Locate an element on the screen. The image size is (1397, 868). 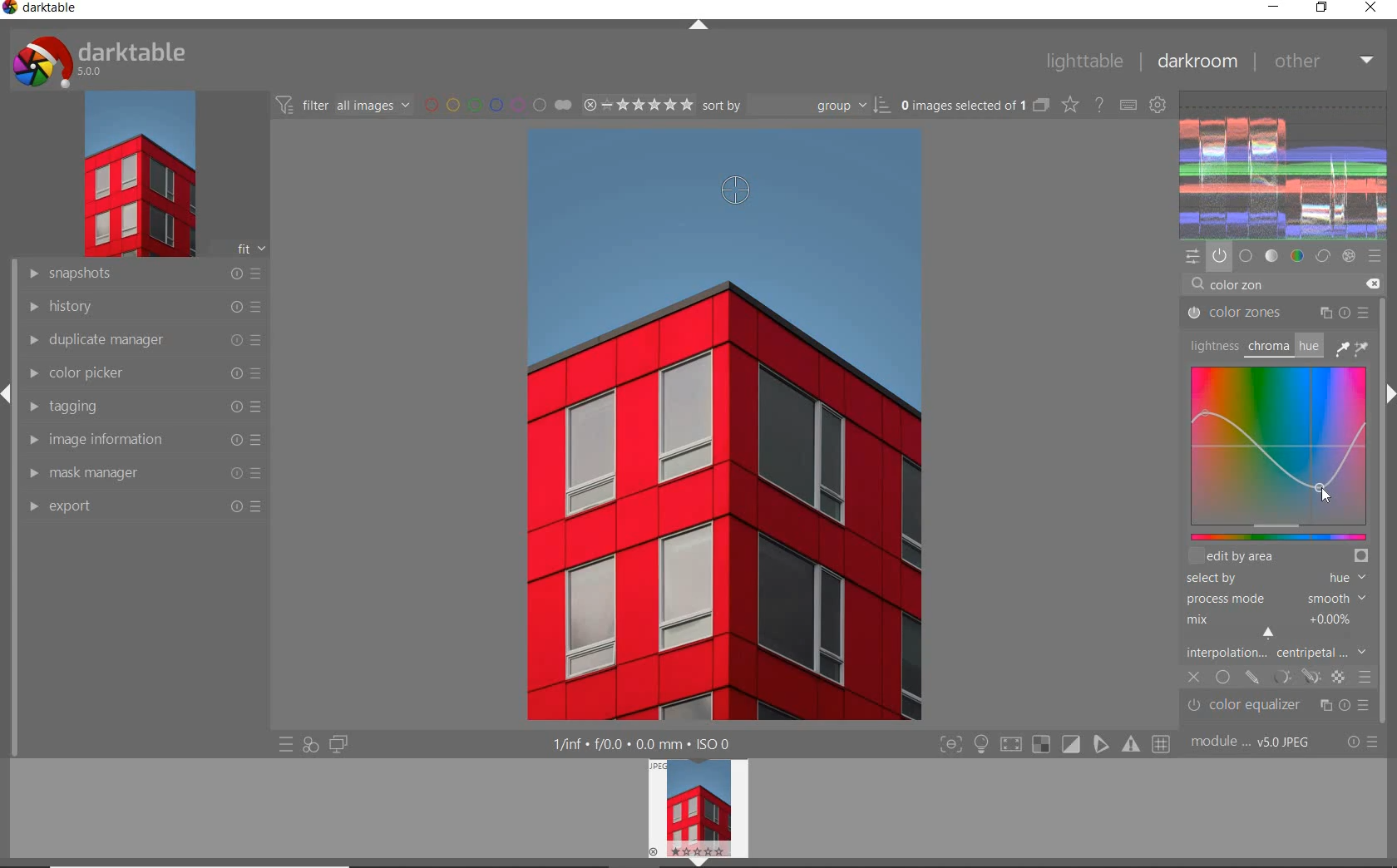
highlight is located at coordinates (983, 747).